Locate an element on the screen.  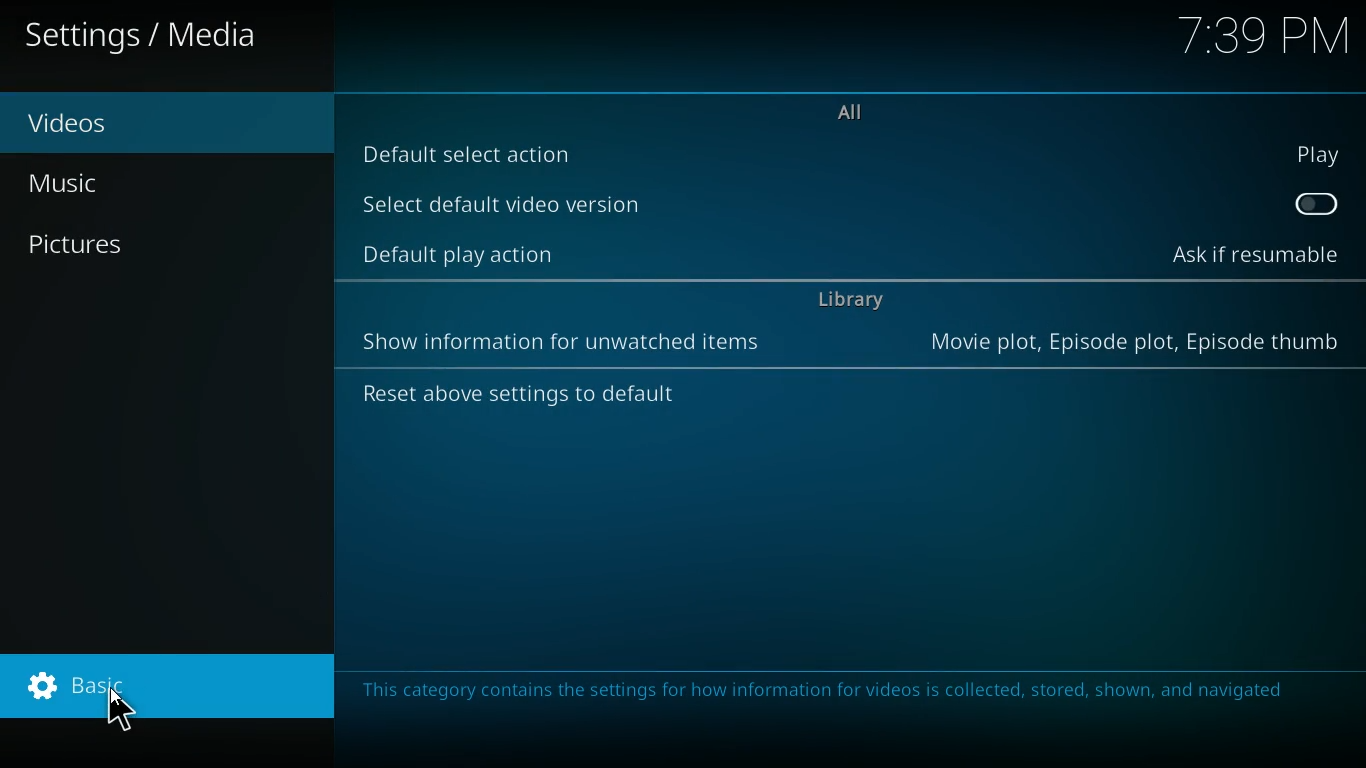
basic is located at coordinates (159, 689).